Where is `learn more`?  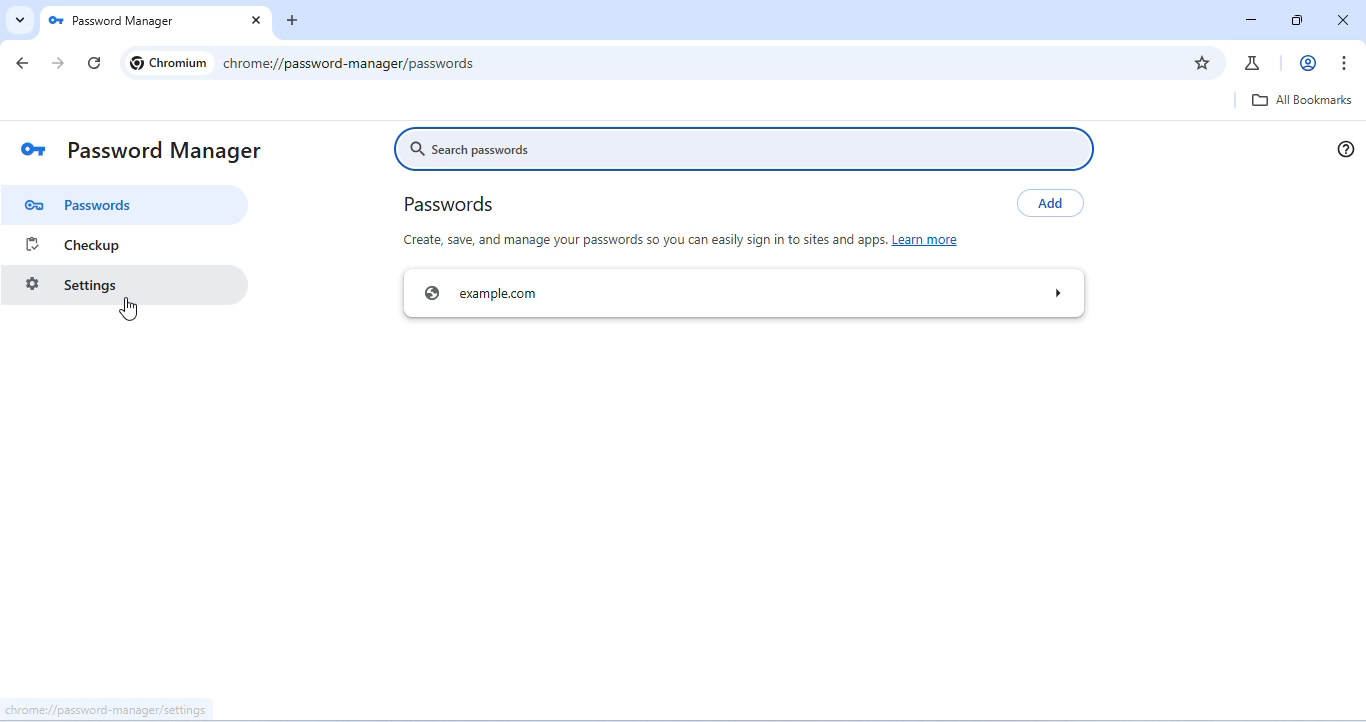
learn more is located at coordinates (930, 239).